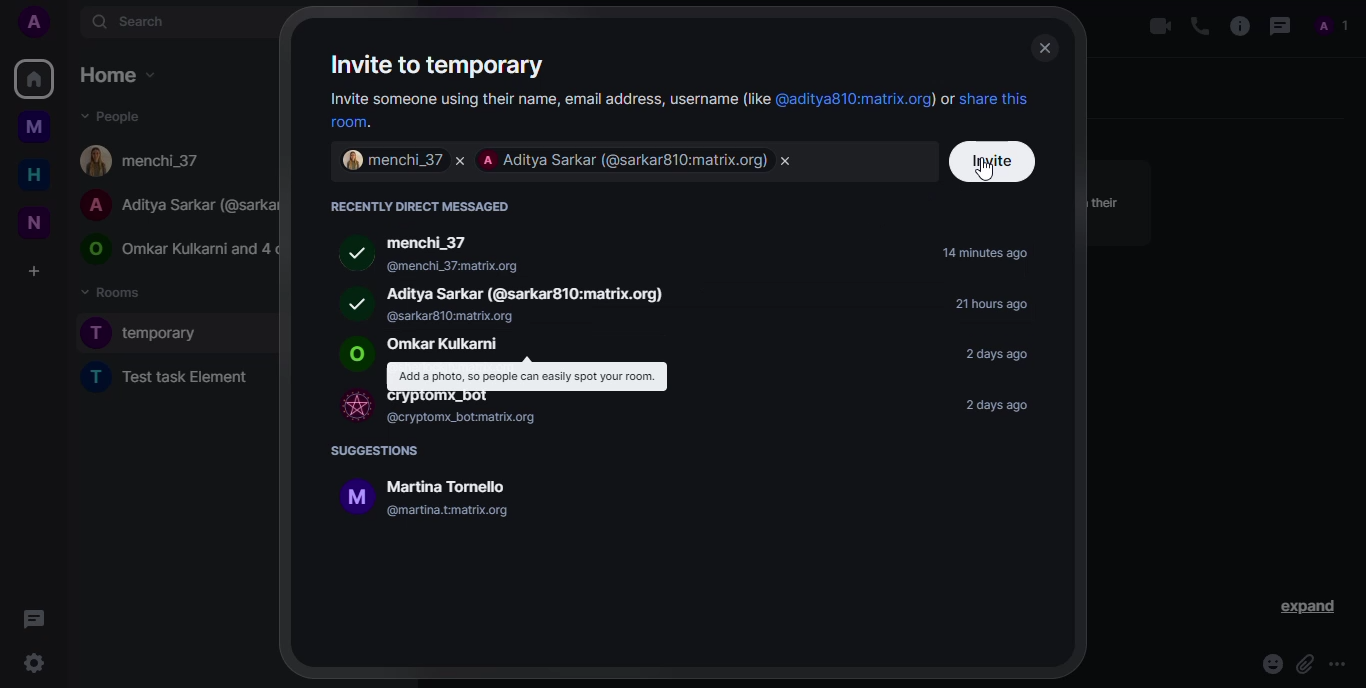 This screenshot has height=688, width=1366. Describe the element at coordinates (1329, 25) in the screenshot. I see `profile` at that location.